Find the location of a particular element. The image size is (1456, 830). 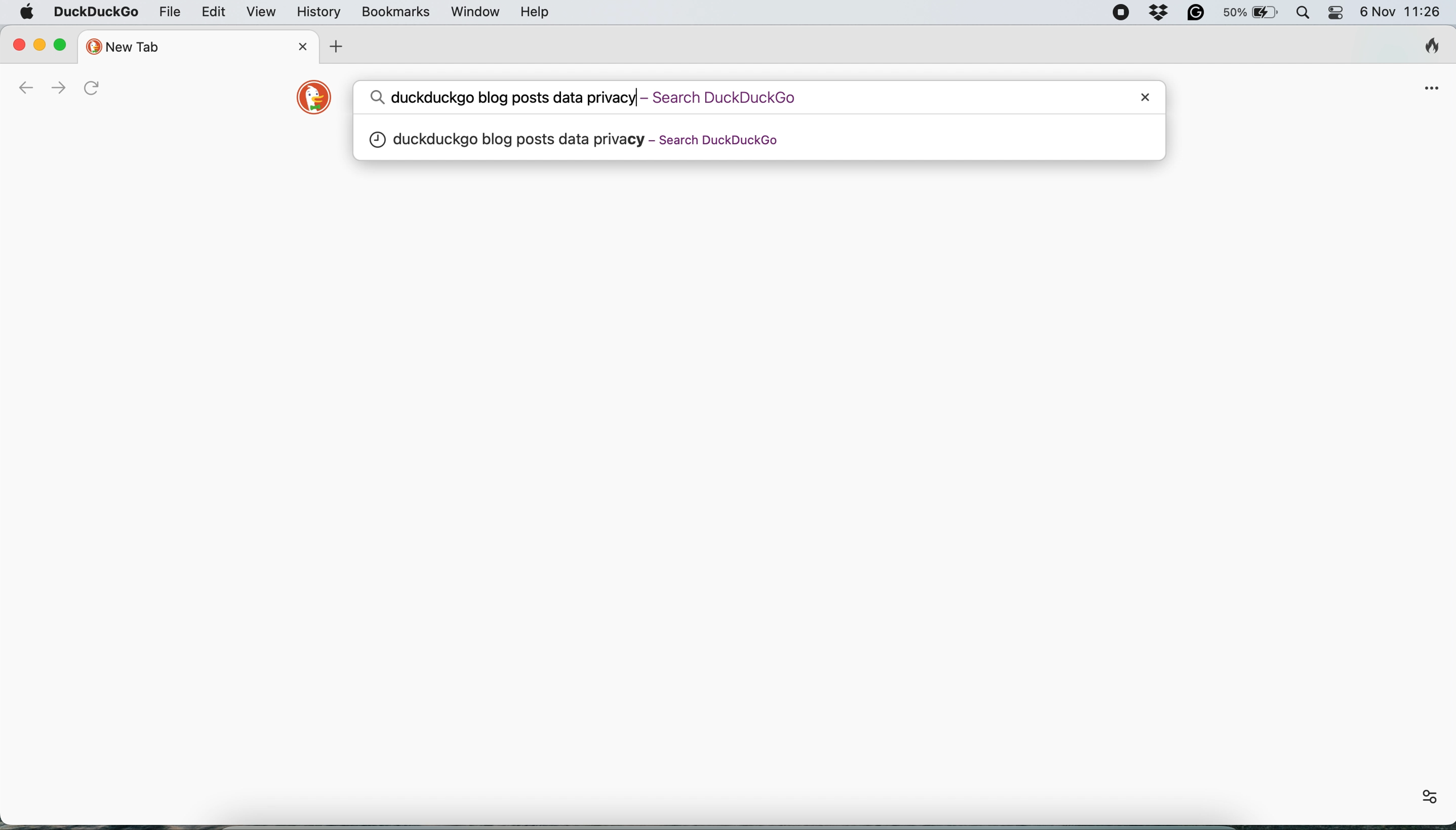

window is located at coordinates (475, 13).